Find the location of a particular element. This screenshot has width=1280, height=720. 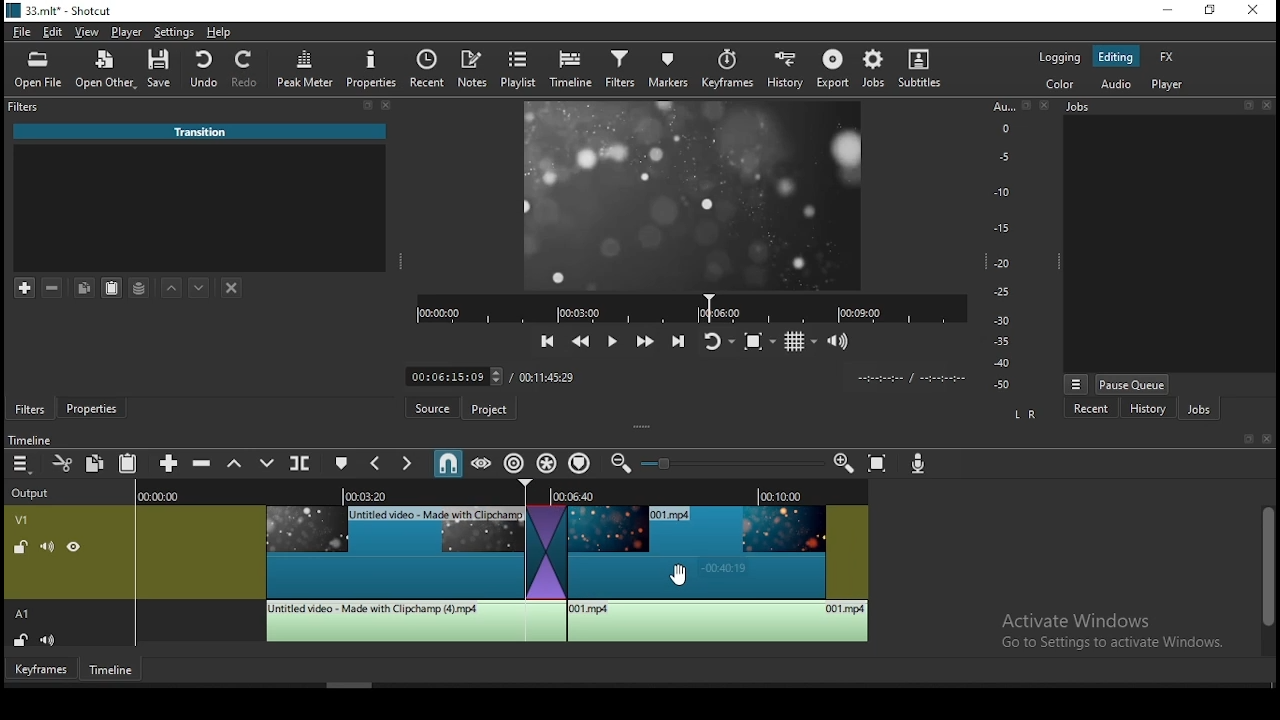

ripple all tracks is located at coordinates (547, 463).